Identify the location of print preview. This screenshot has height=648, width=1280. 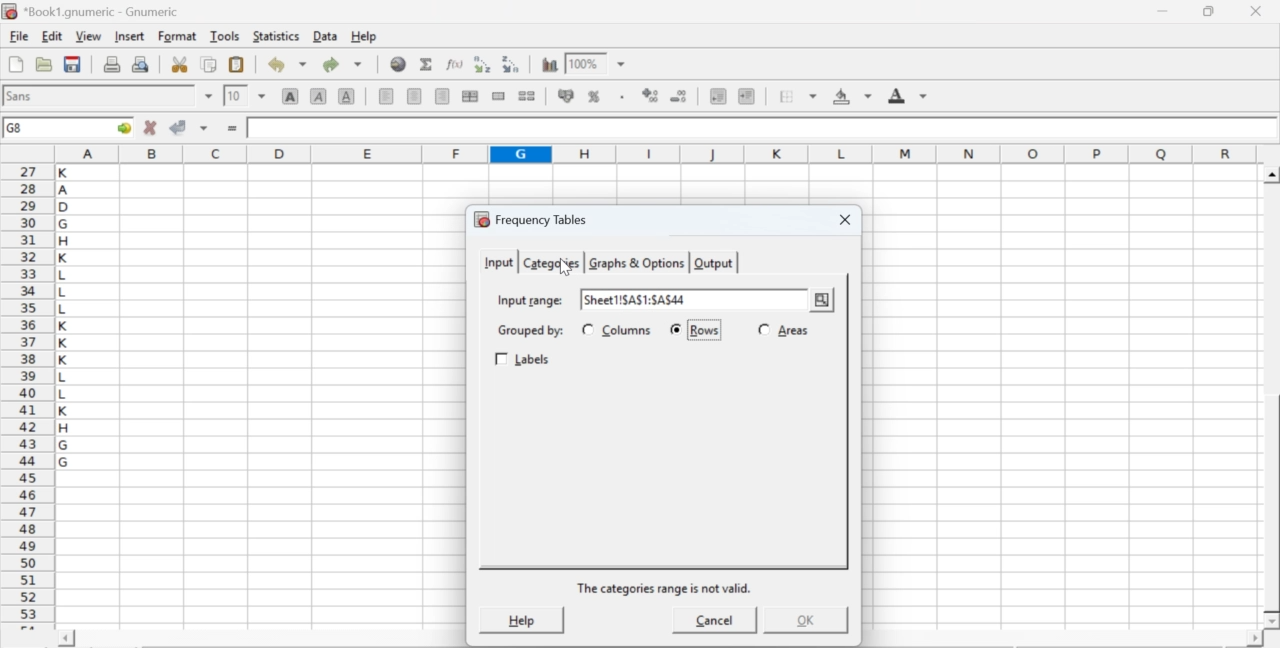
(141, 63).